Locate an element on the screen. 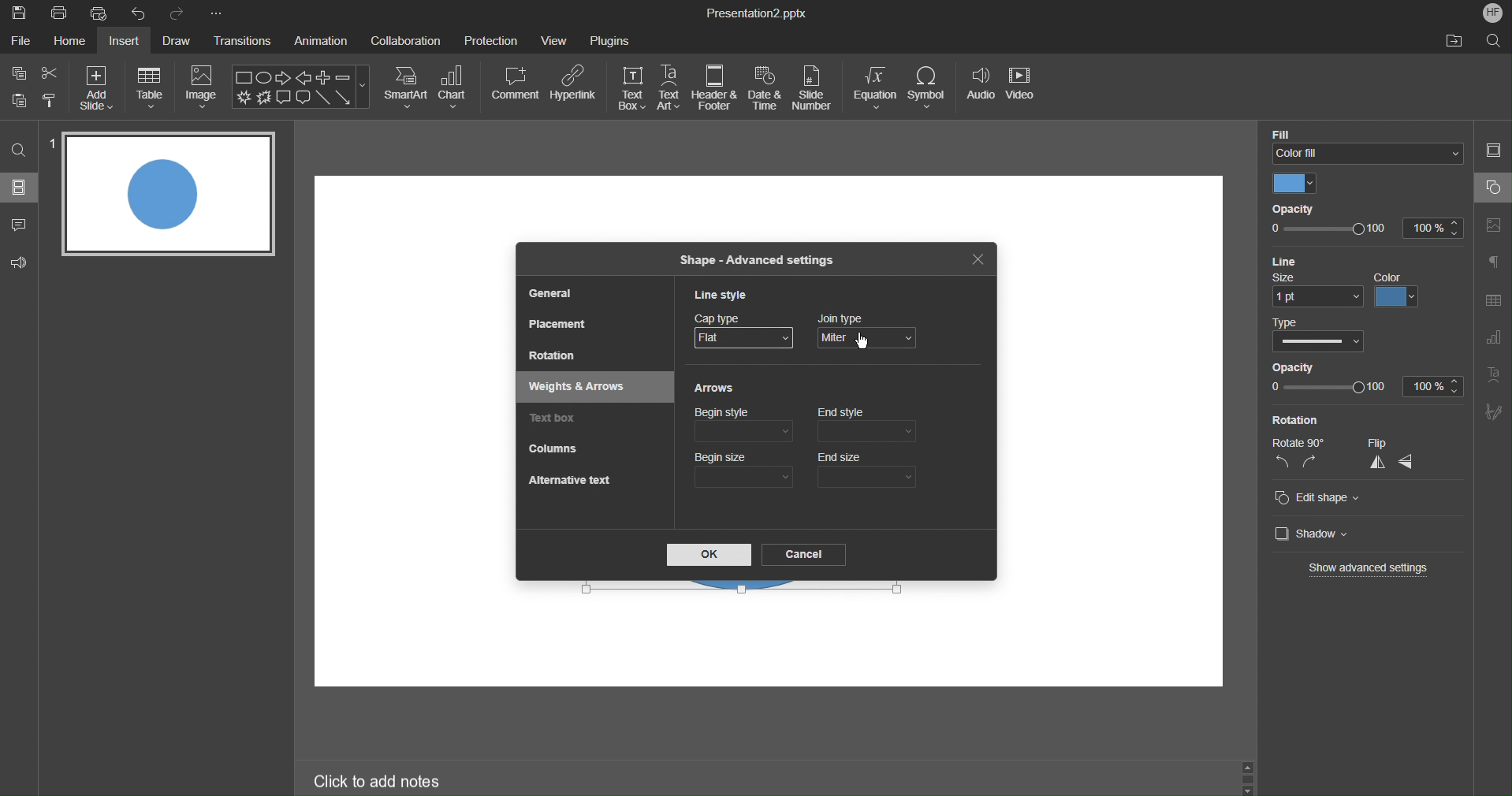  mouse pointer is located at coordinates (866, 344).